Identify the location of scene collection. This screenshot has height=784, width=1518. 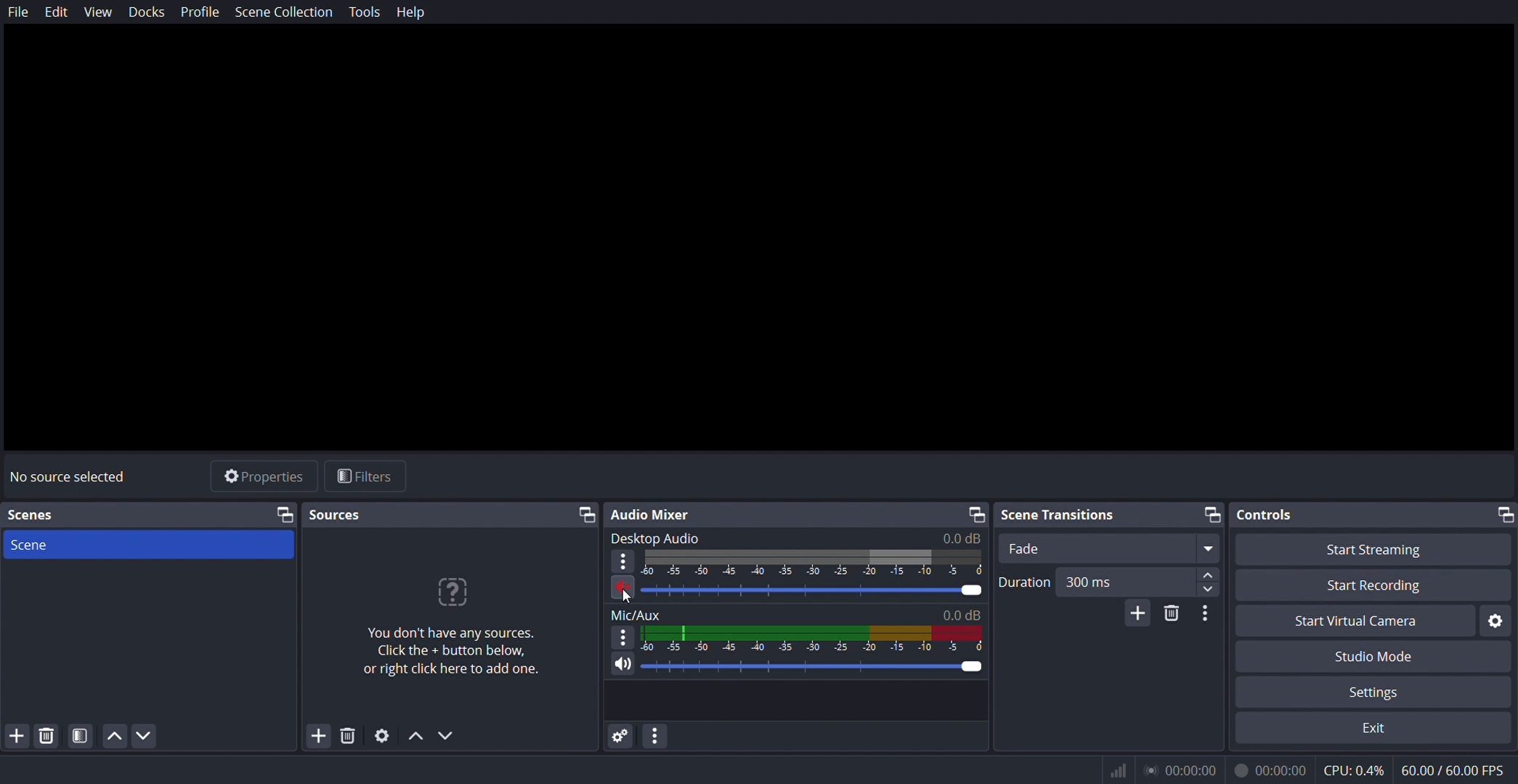
(286, 12).